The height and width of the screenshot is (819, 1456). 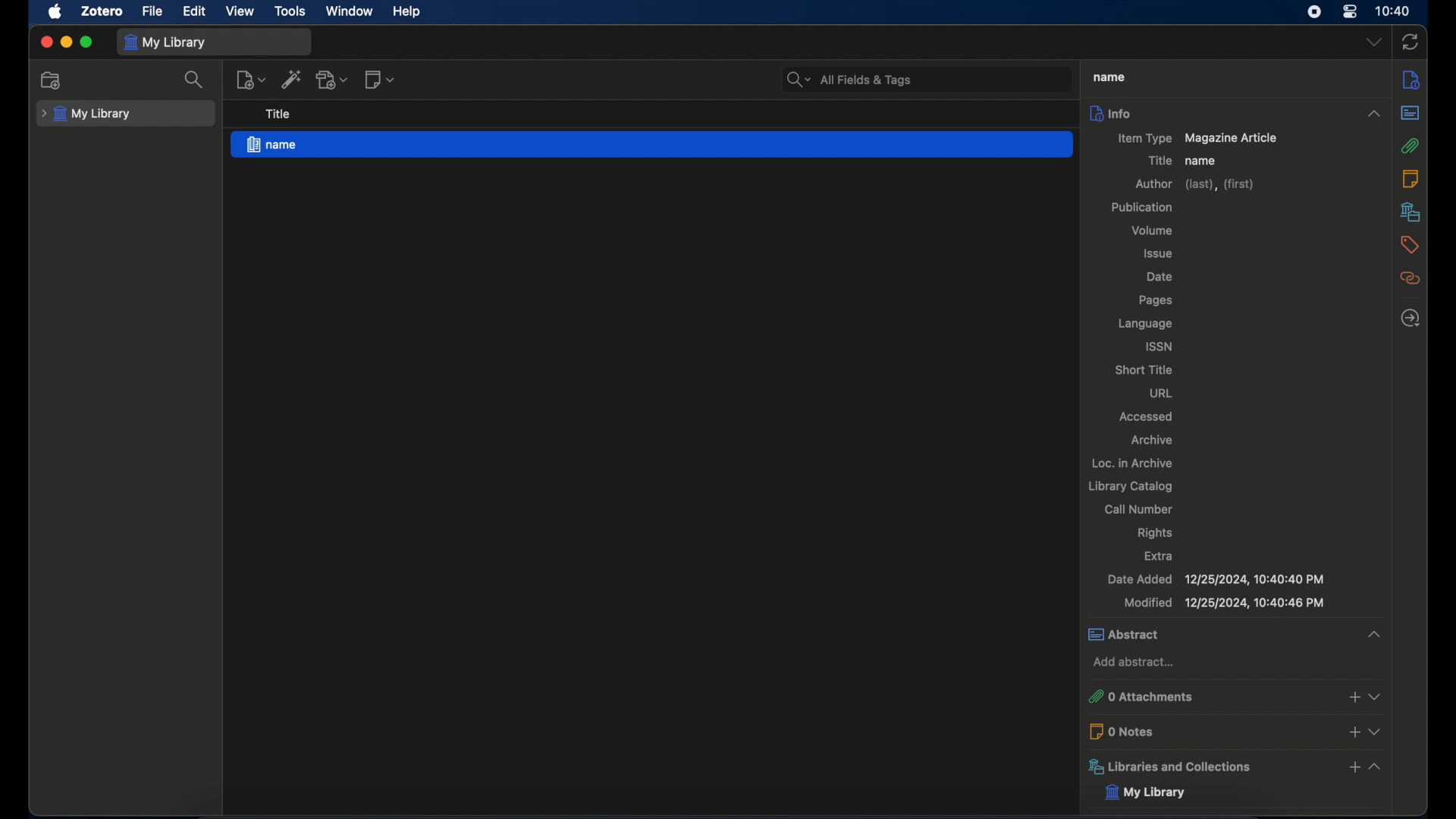 I want to click on locate, so click(x=1411, y=317).